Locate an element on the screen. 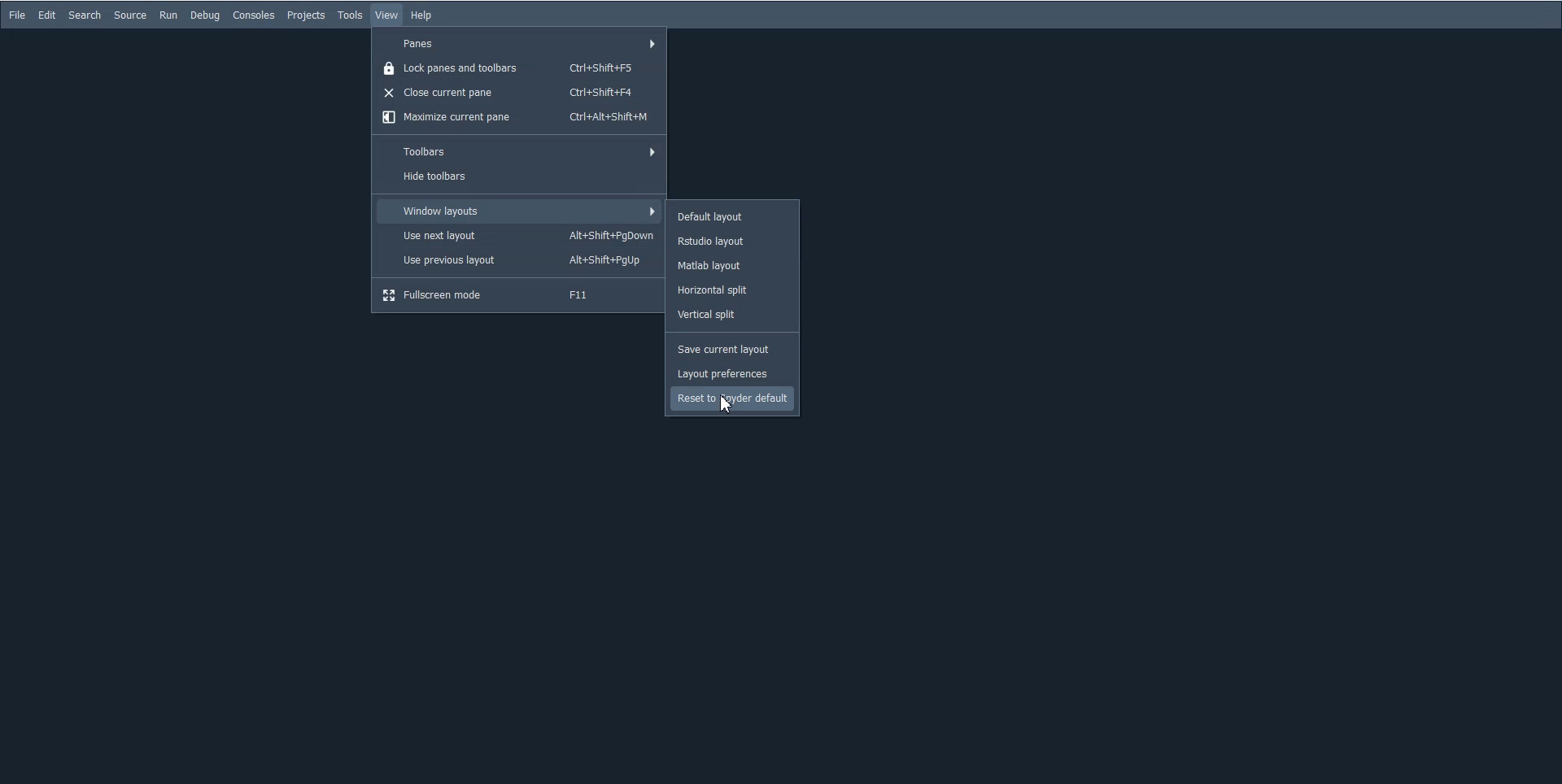 The width and height of the screenshot is (1562, 784). Use next layout is located at coordinates (518, 235).